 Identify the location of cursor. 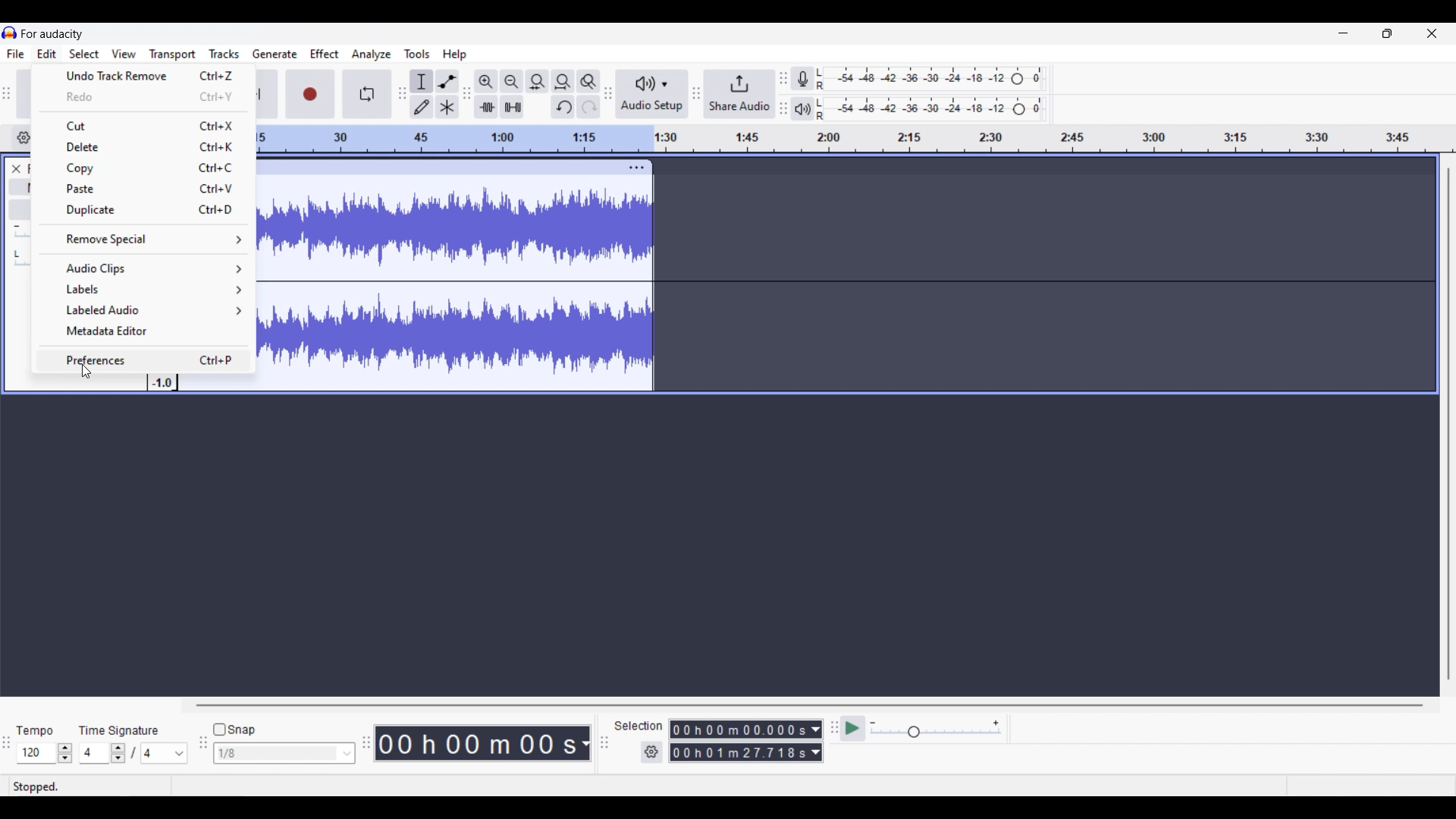
(86, 372).